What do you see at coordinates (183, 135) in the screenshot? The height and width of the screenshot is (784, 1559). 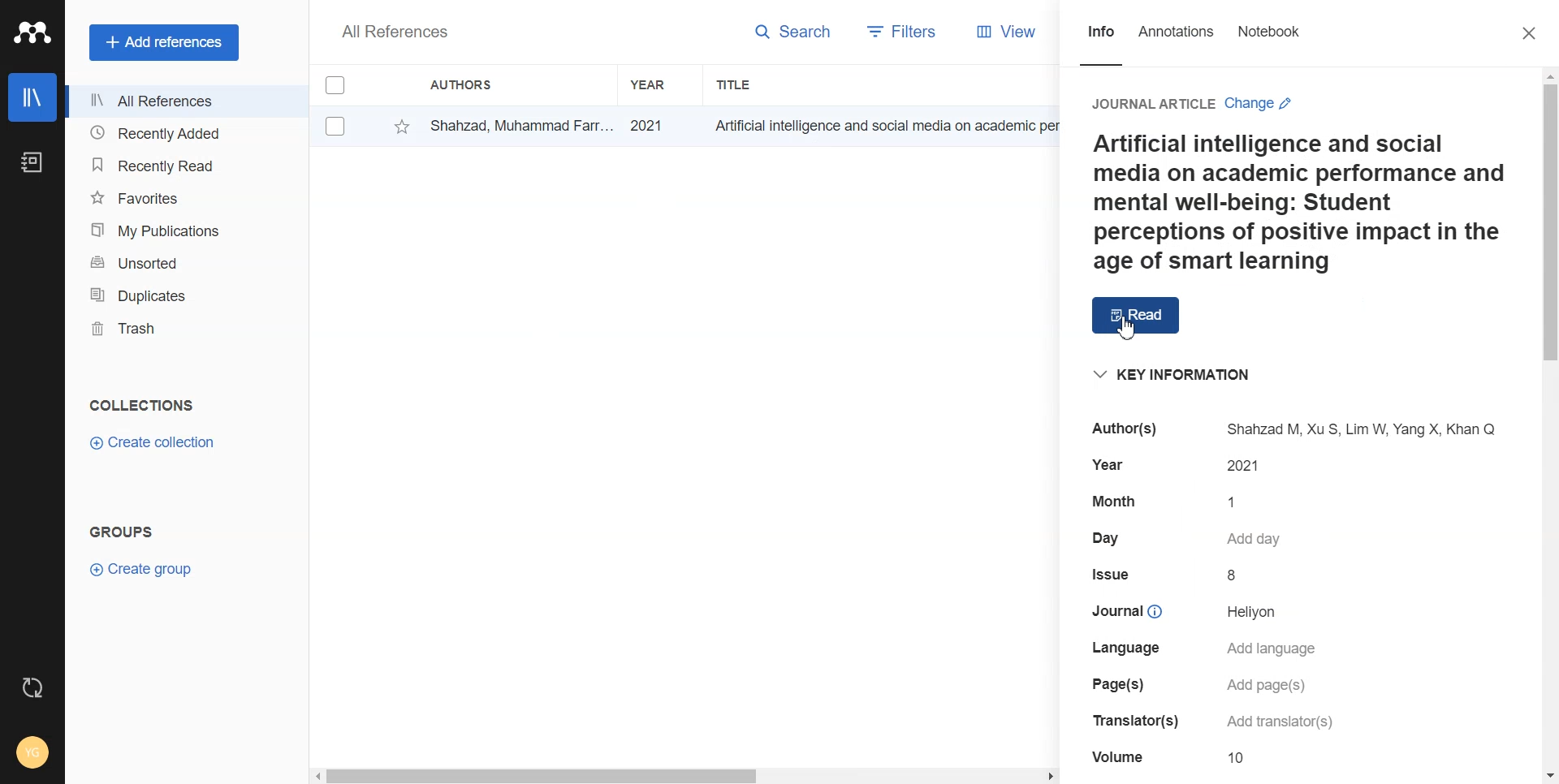 I see `Recently added` at bounding box center [183, 135].